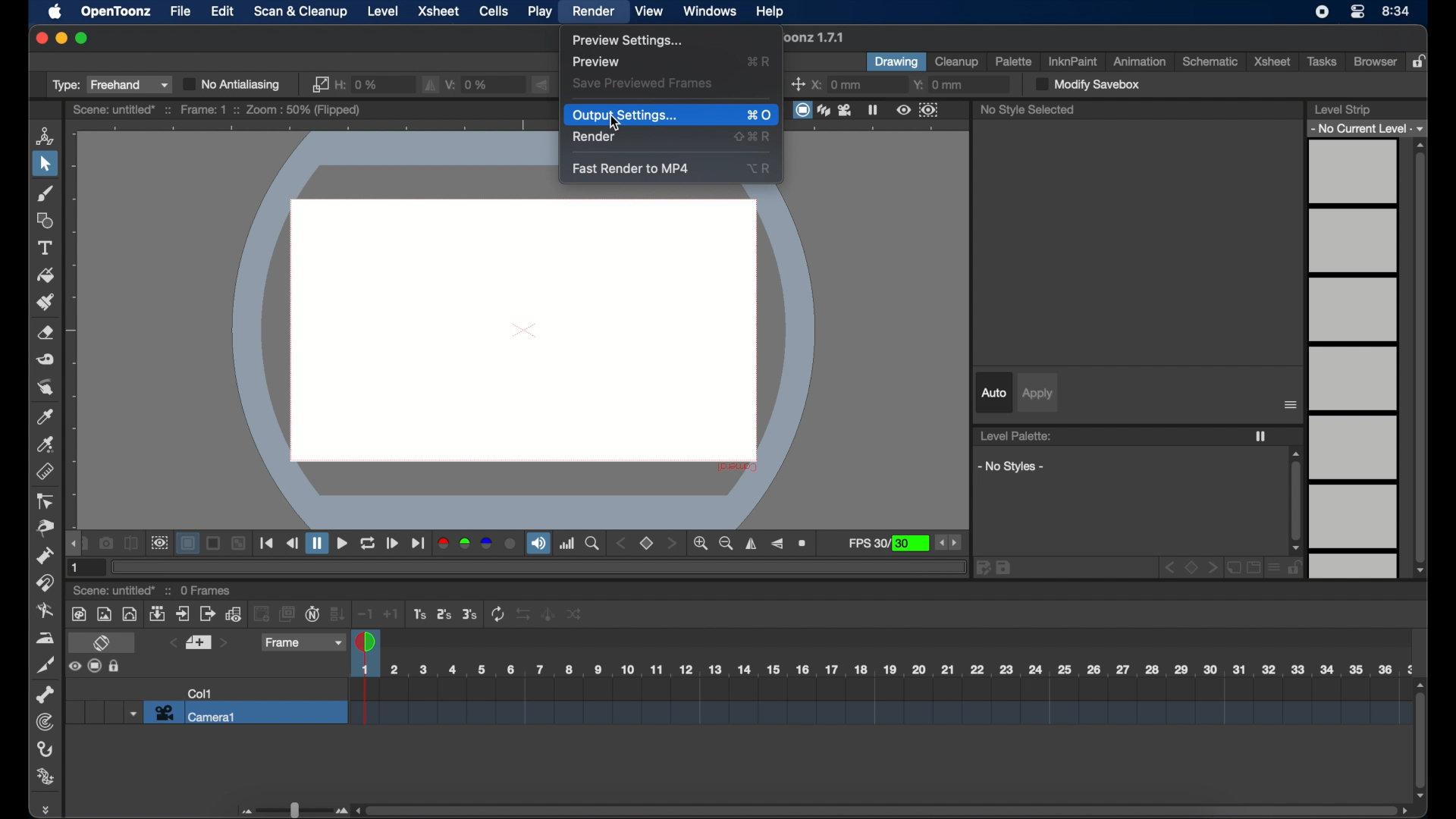 This screenshot has height=819, width=1456. Describe the element at coordinates (1005, 567) in the screenshot. I see `` at that location.